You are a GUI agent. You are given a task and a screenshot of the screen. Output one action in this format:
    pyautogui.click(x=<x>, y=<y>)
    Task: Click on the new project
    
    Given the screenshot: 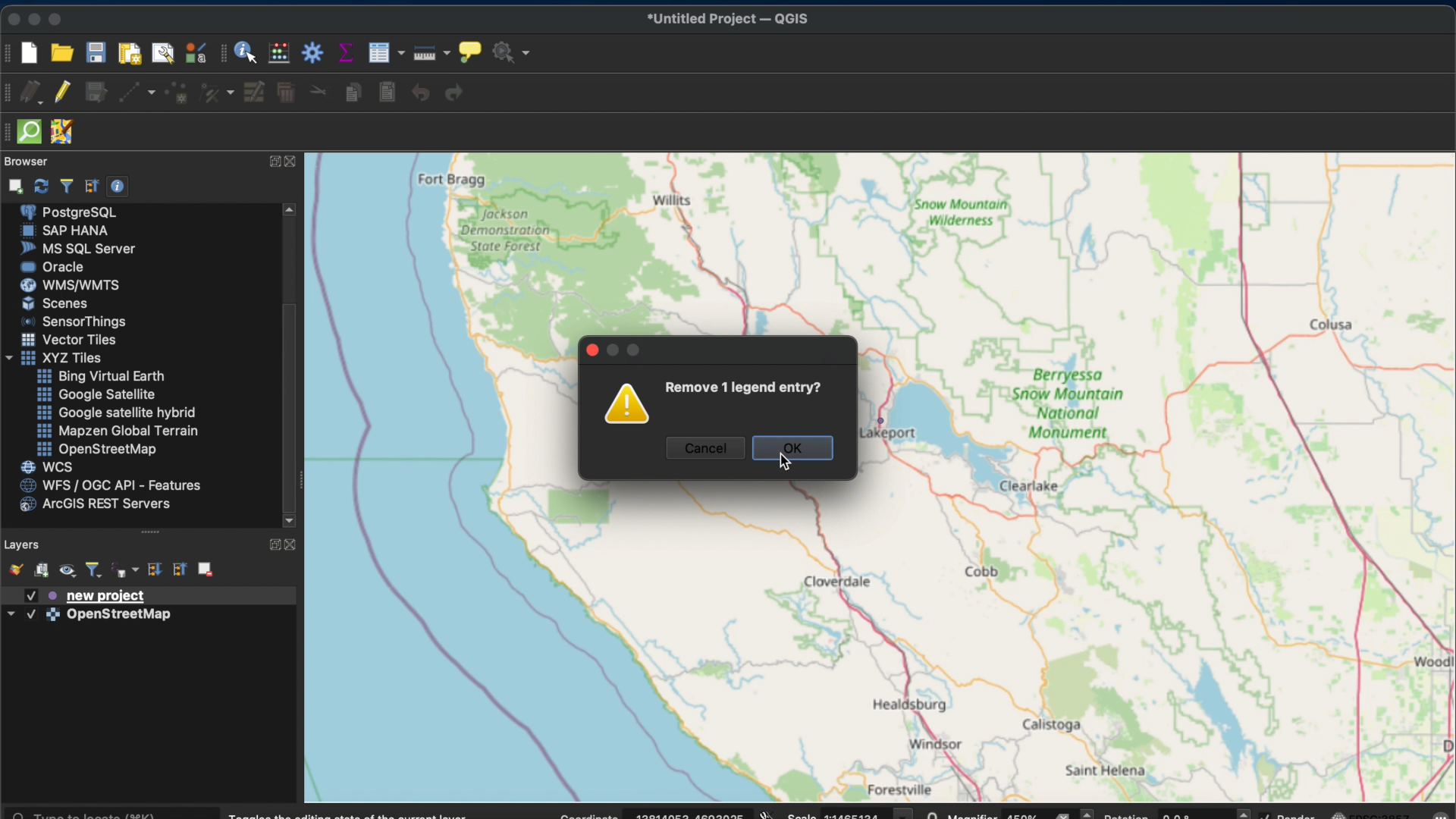 What is the action you would take?
    pyautogui.click(x=33, y=54)
    